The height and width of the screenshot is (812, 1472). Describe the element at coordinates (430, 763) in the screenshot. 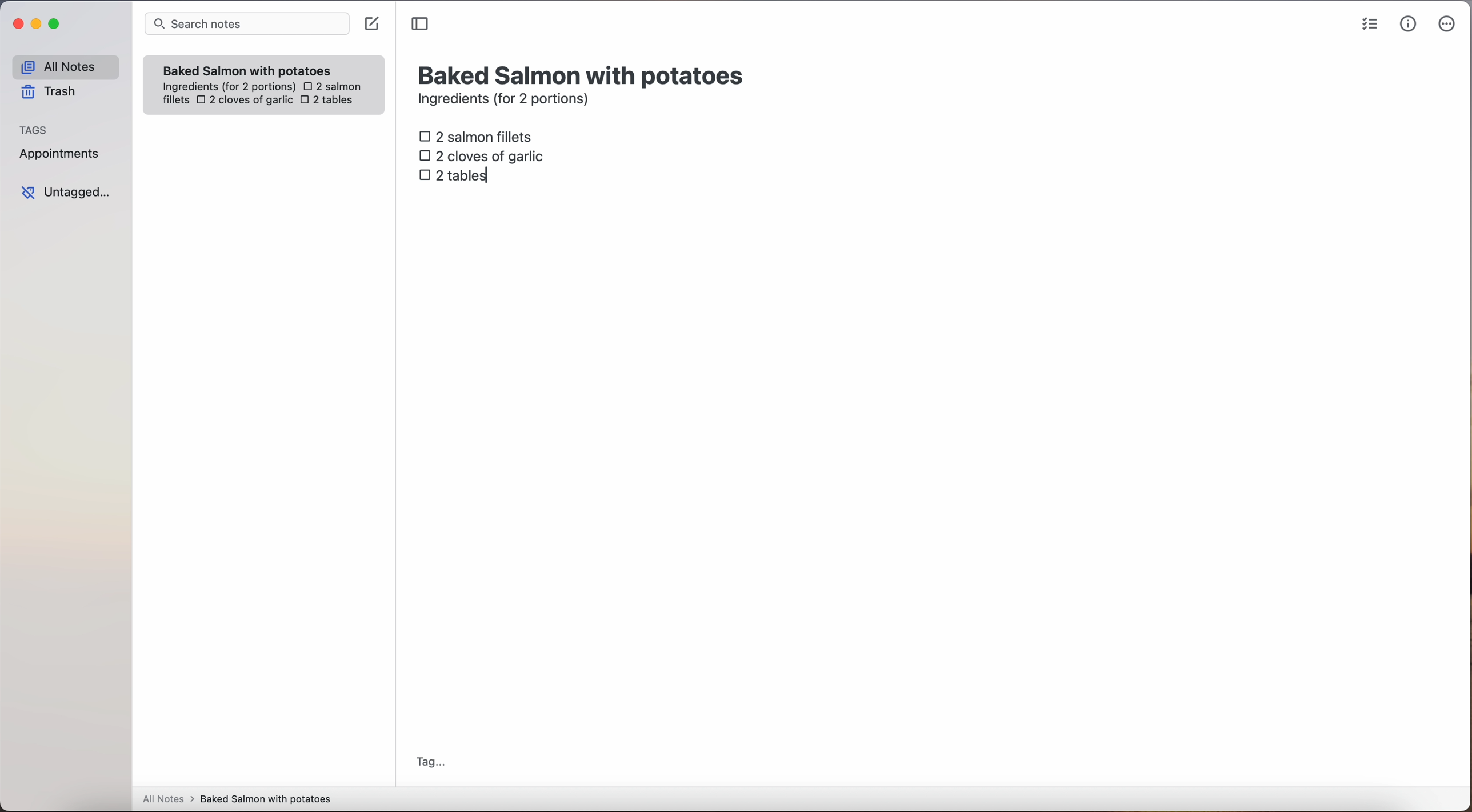

I see `tag` at that location.